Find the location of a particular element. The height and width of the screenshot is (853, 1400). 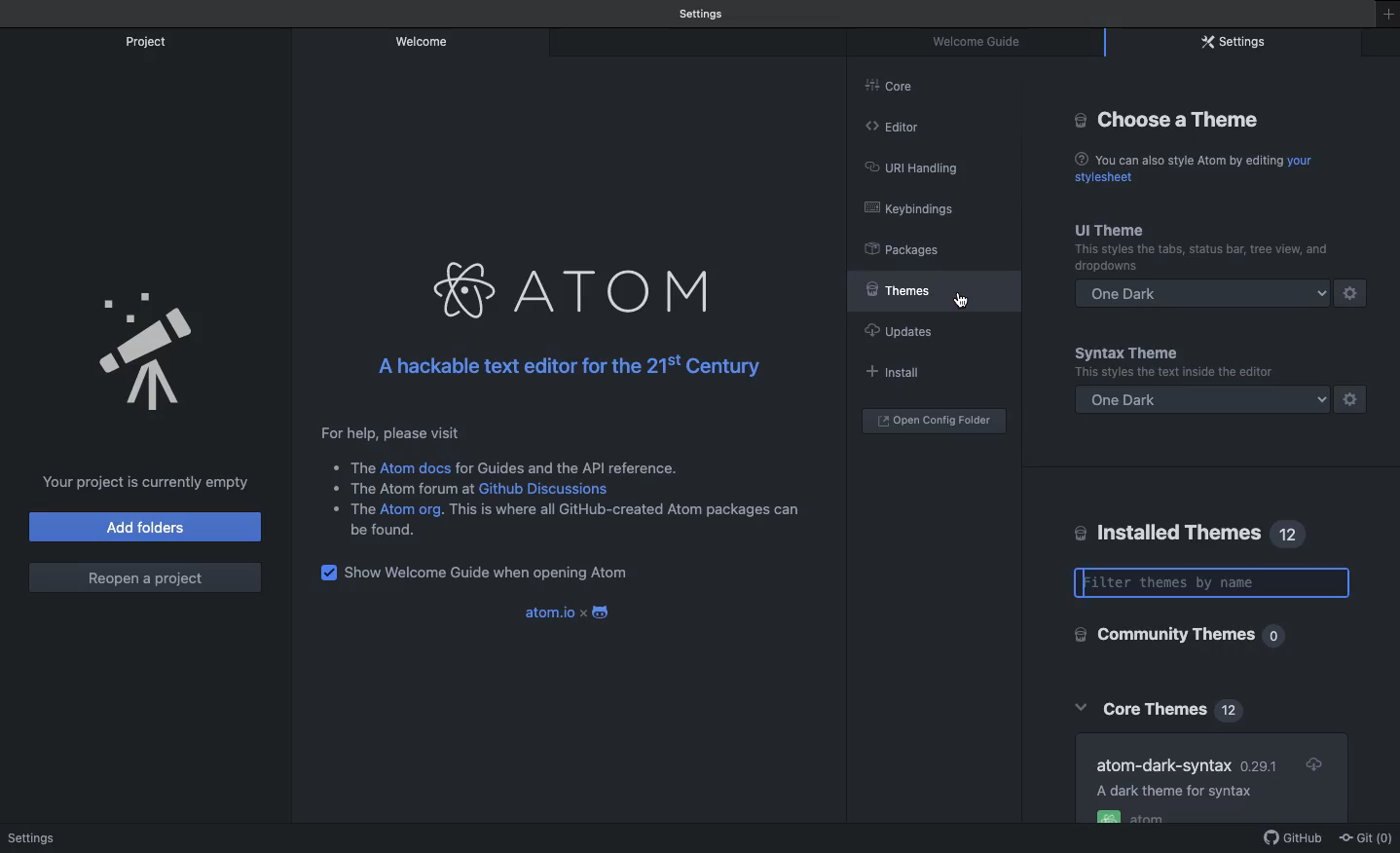

Project is located at coordinates (149, 41).